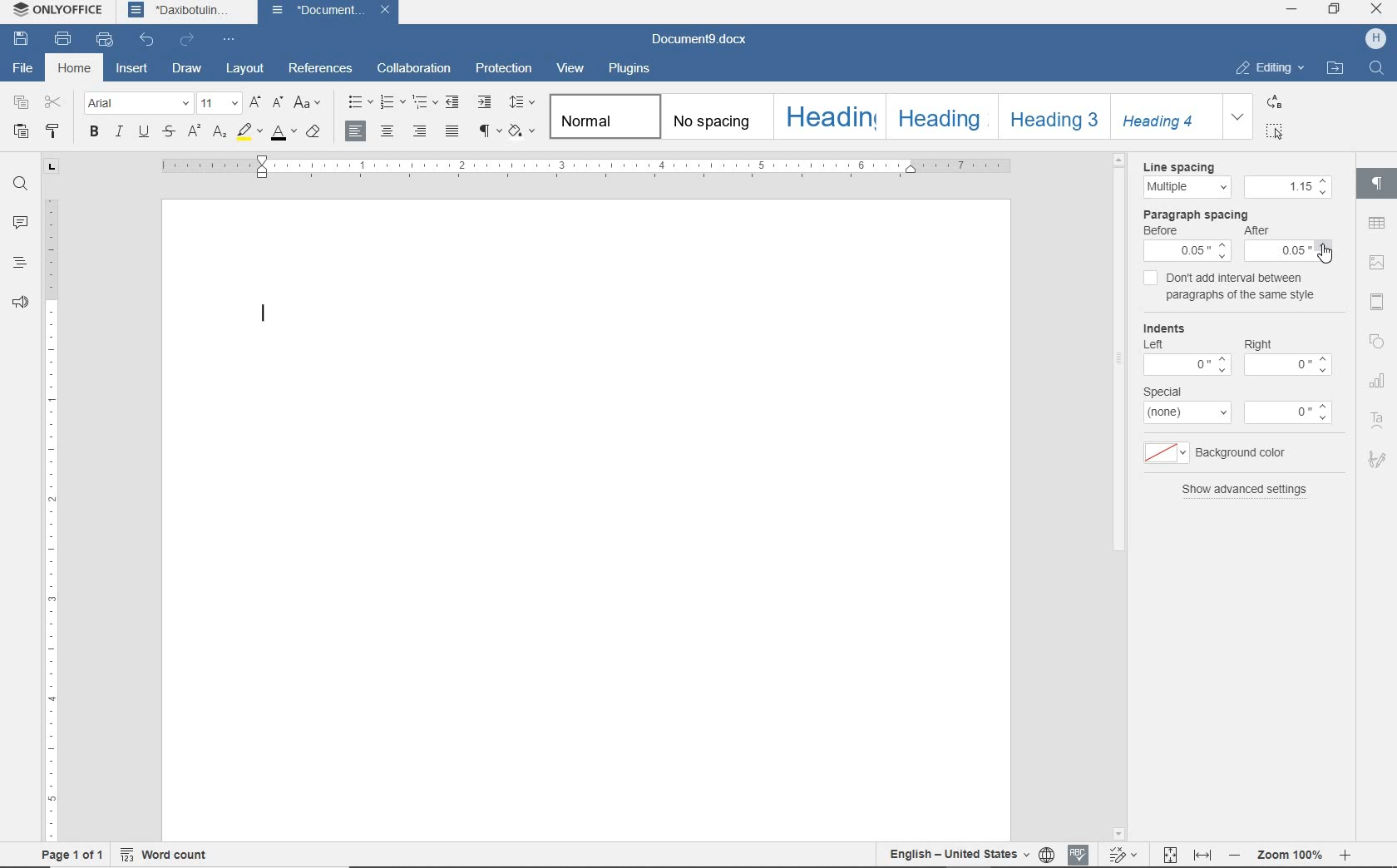 The height and width of the screenshot is (868, 1397). Describe the element at coordinates (1121, 160) in the screenshot. I see `scroll up` at that location.